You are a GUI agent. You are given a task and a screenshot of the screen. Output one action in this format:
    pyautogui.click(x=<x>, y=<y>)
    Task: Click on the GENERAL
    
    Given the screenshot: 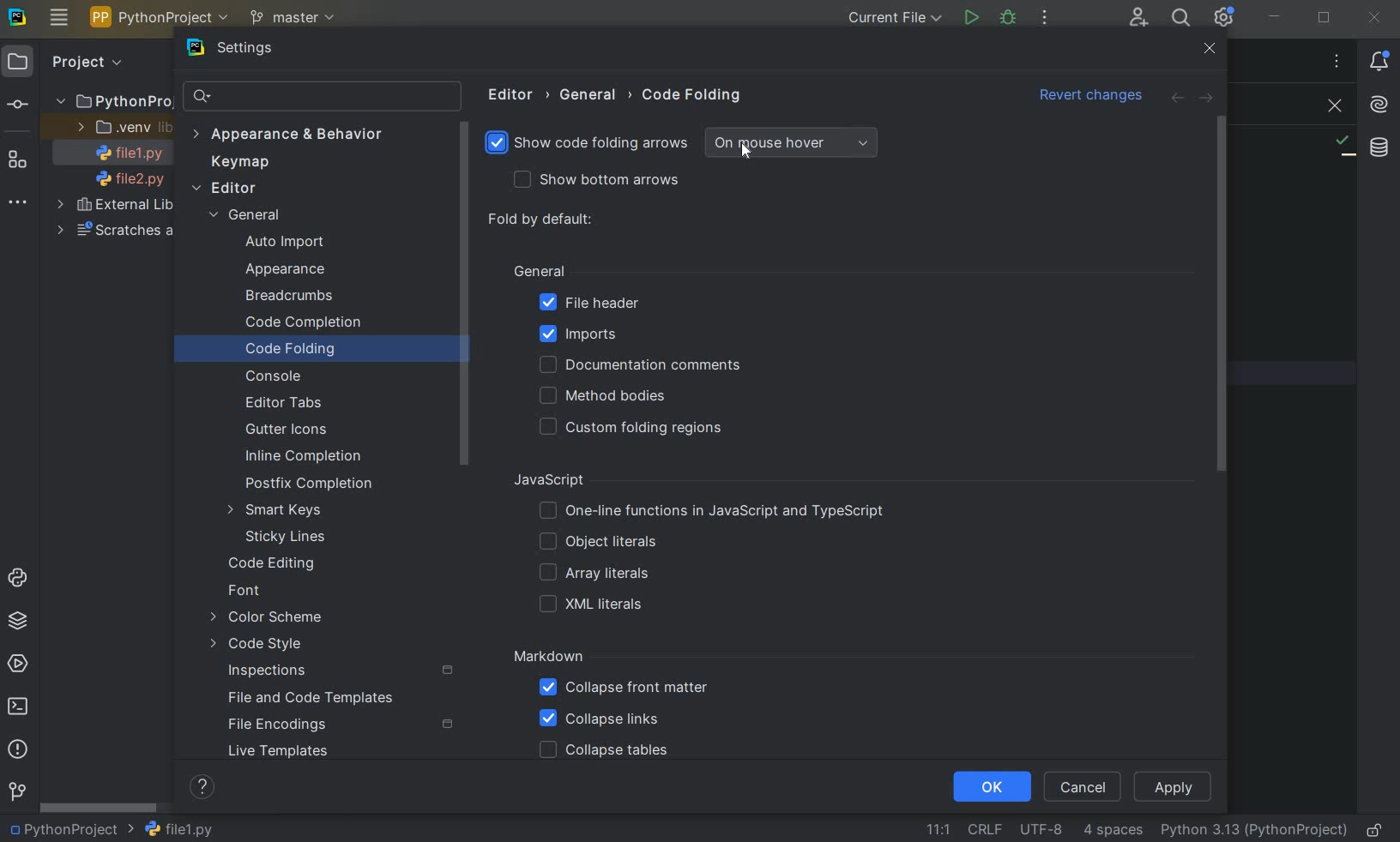 What is the action you would take?
    pyautogui.click(x=539, y=269)
    